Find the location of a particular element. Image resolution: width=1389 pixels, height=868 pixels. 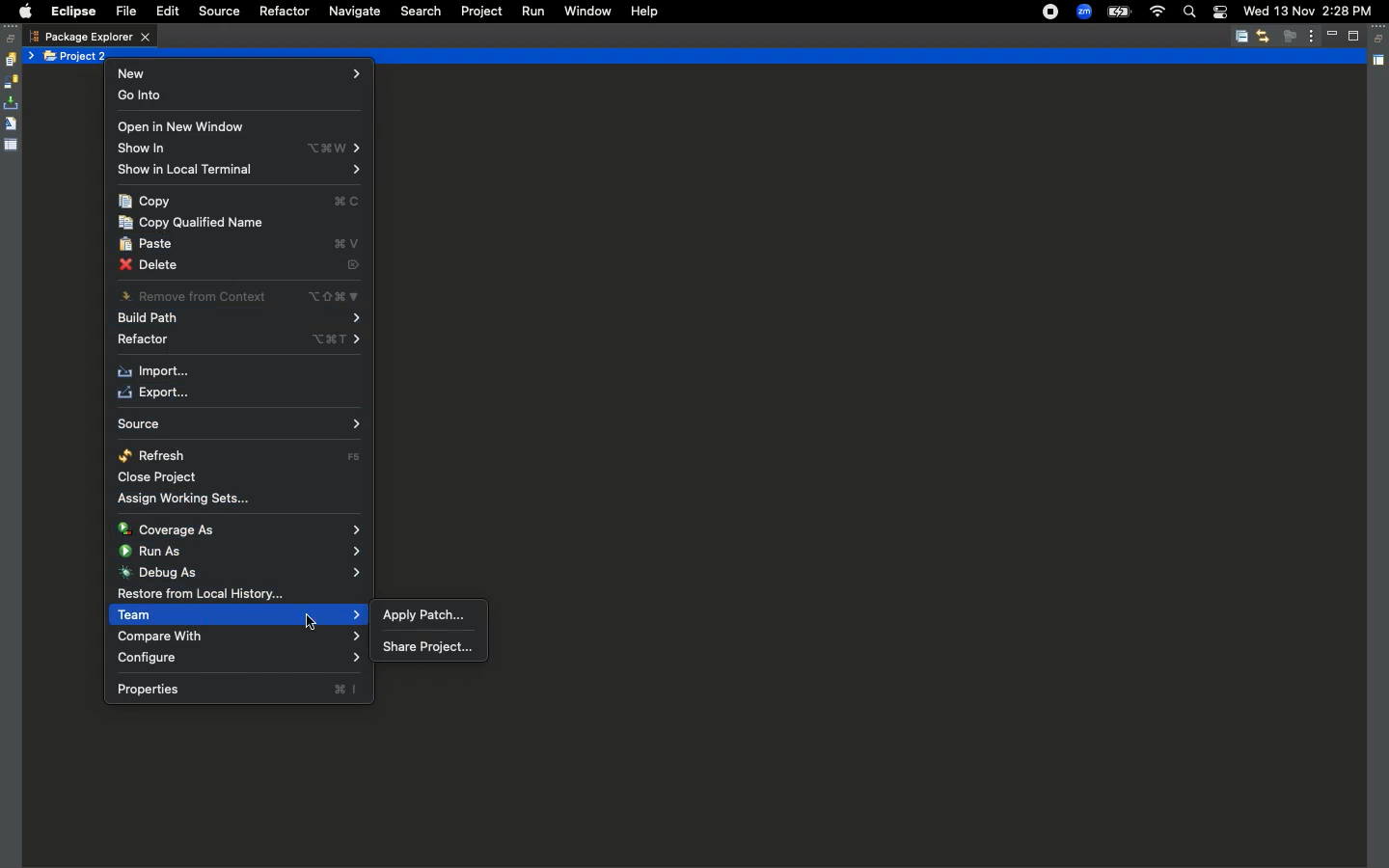

View menu is located at coordinates (1312, 35).